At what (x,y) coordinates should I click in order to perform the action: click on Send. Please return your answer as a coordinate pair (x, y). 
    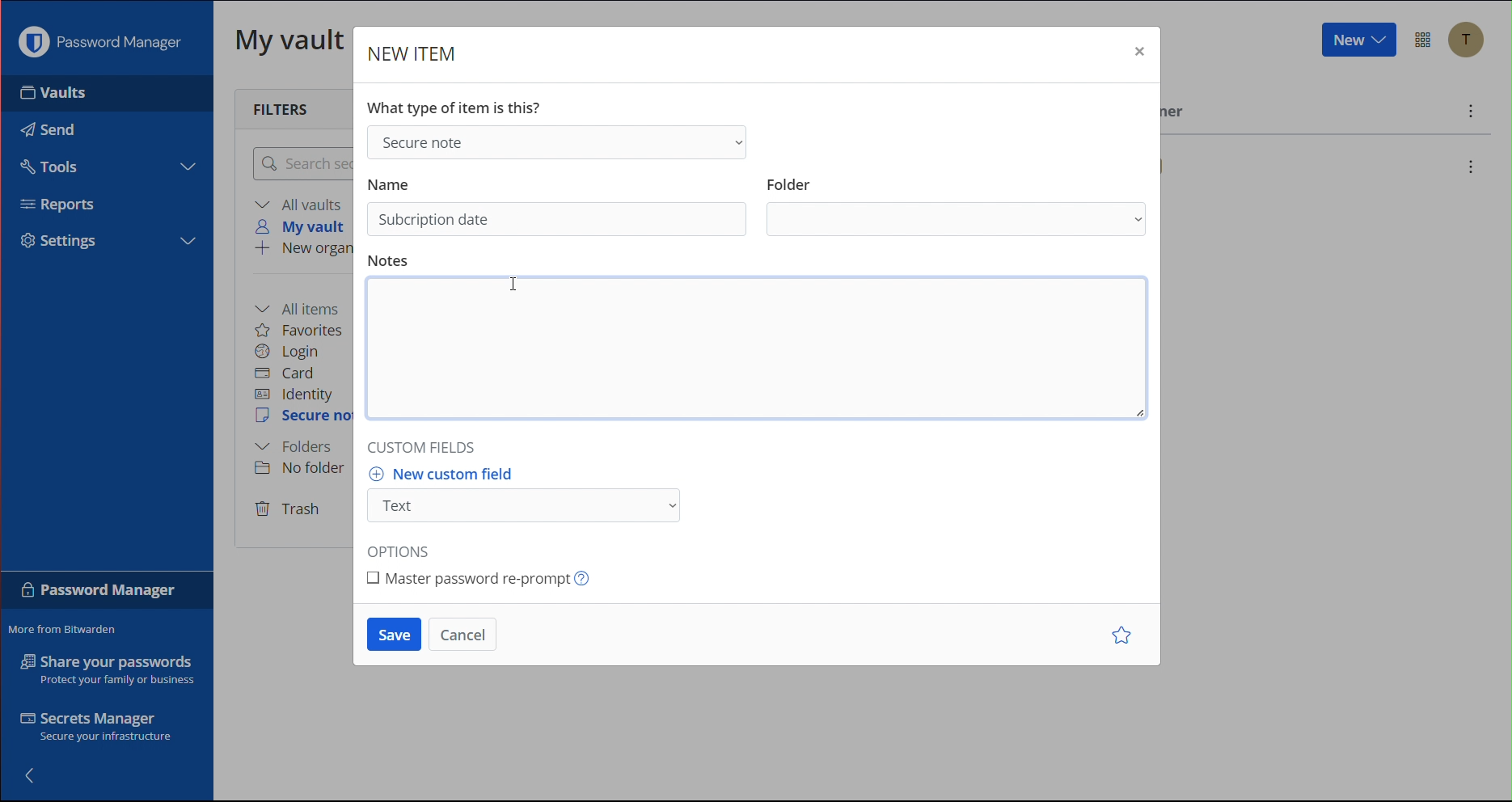
    Looking at the image, I should click on (44, 125).